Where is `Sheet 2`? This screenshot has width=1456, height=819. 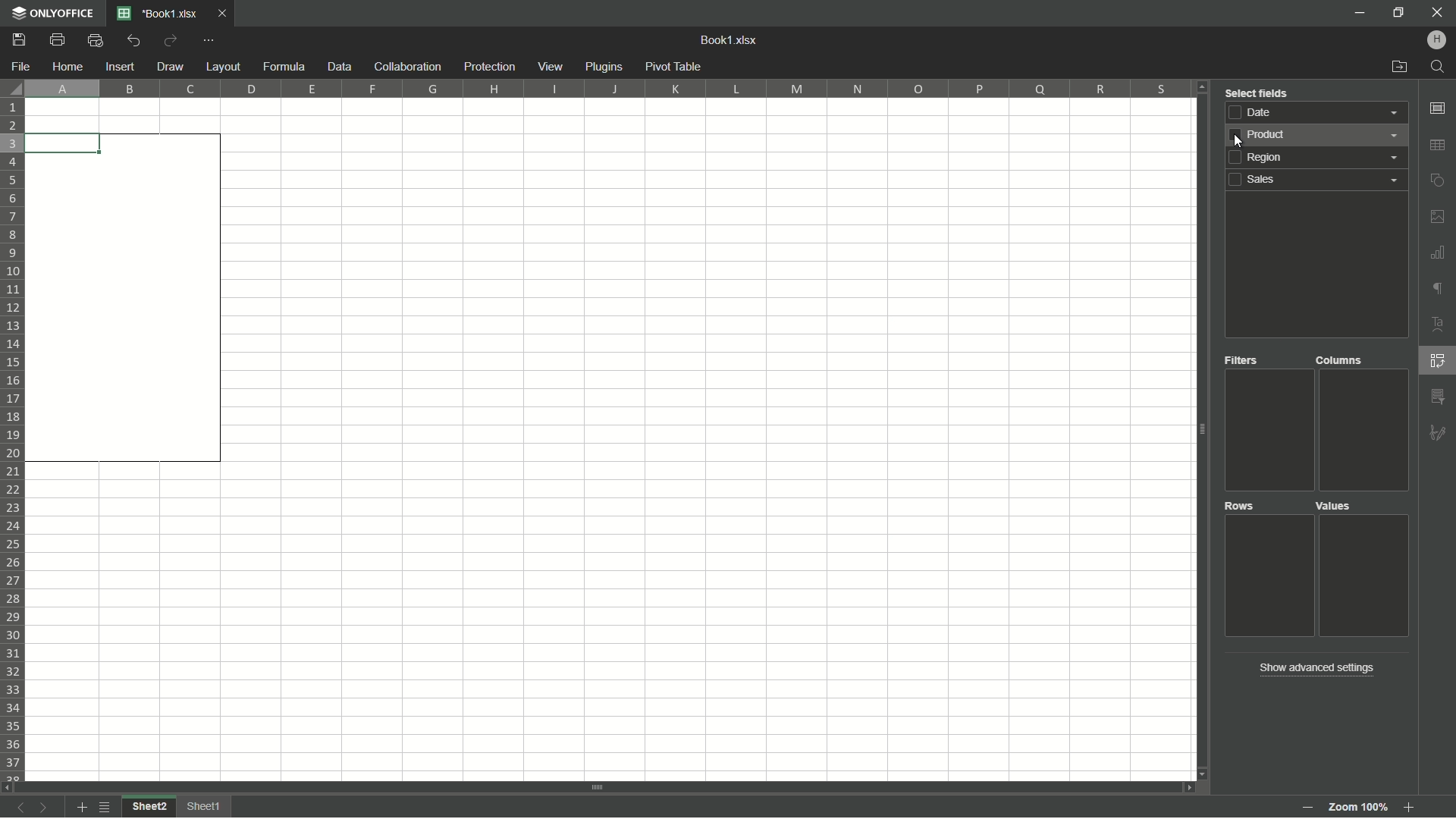
Sheet 2 is located at coordinates (149, 807).